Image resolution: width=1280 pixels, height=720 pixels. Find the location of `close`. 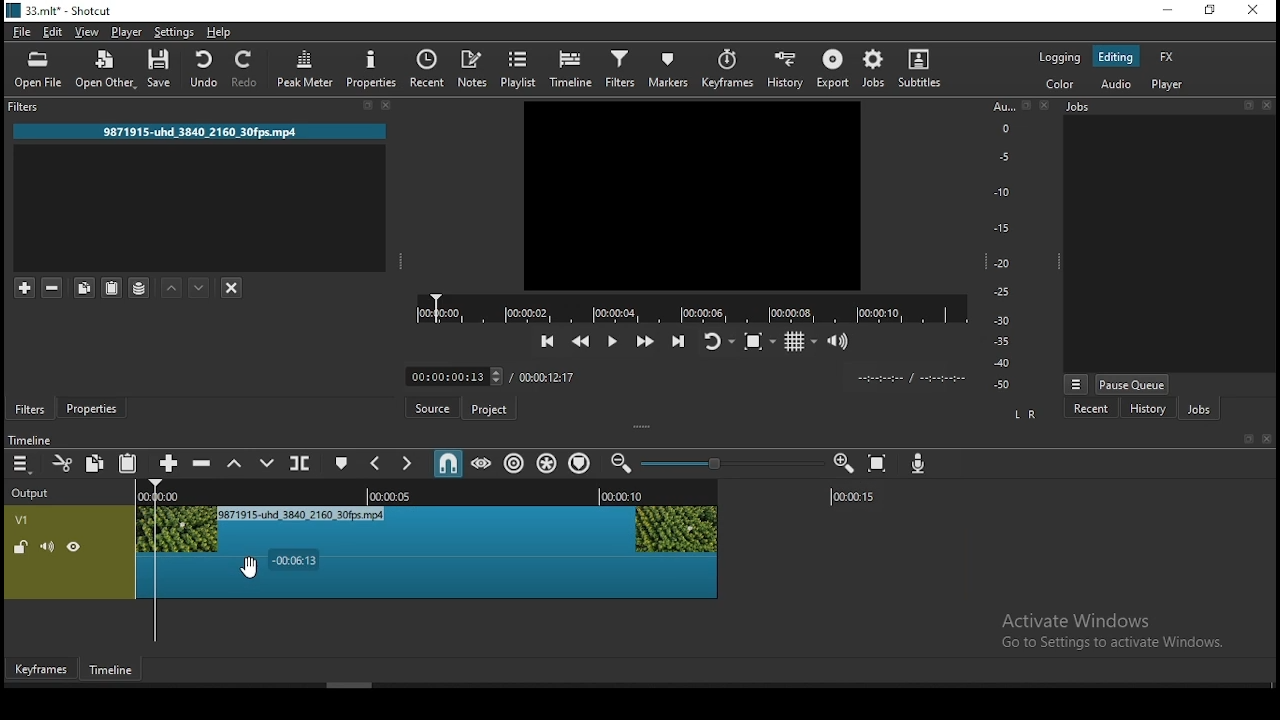

close is located at coordinates (1044, 107).